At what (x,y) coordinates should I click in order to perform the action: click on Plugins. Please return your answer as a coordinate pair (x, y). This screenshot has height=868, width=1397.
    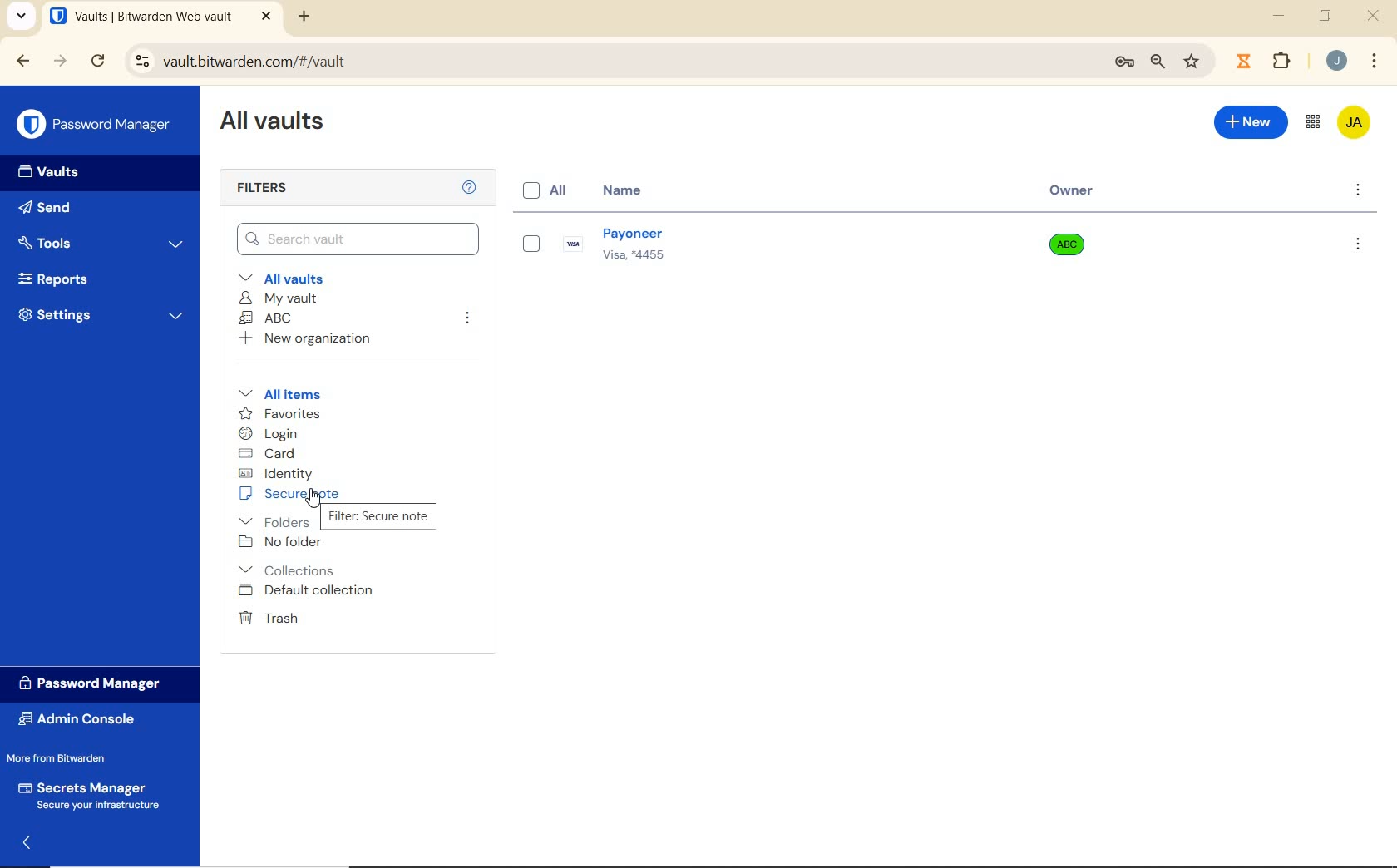
    Looking at the image, I should click on (1285, 59).